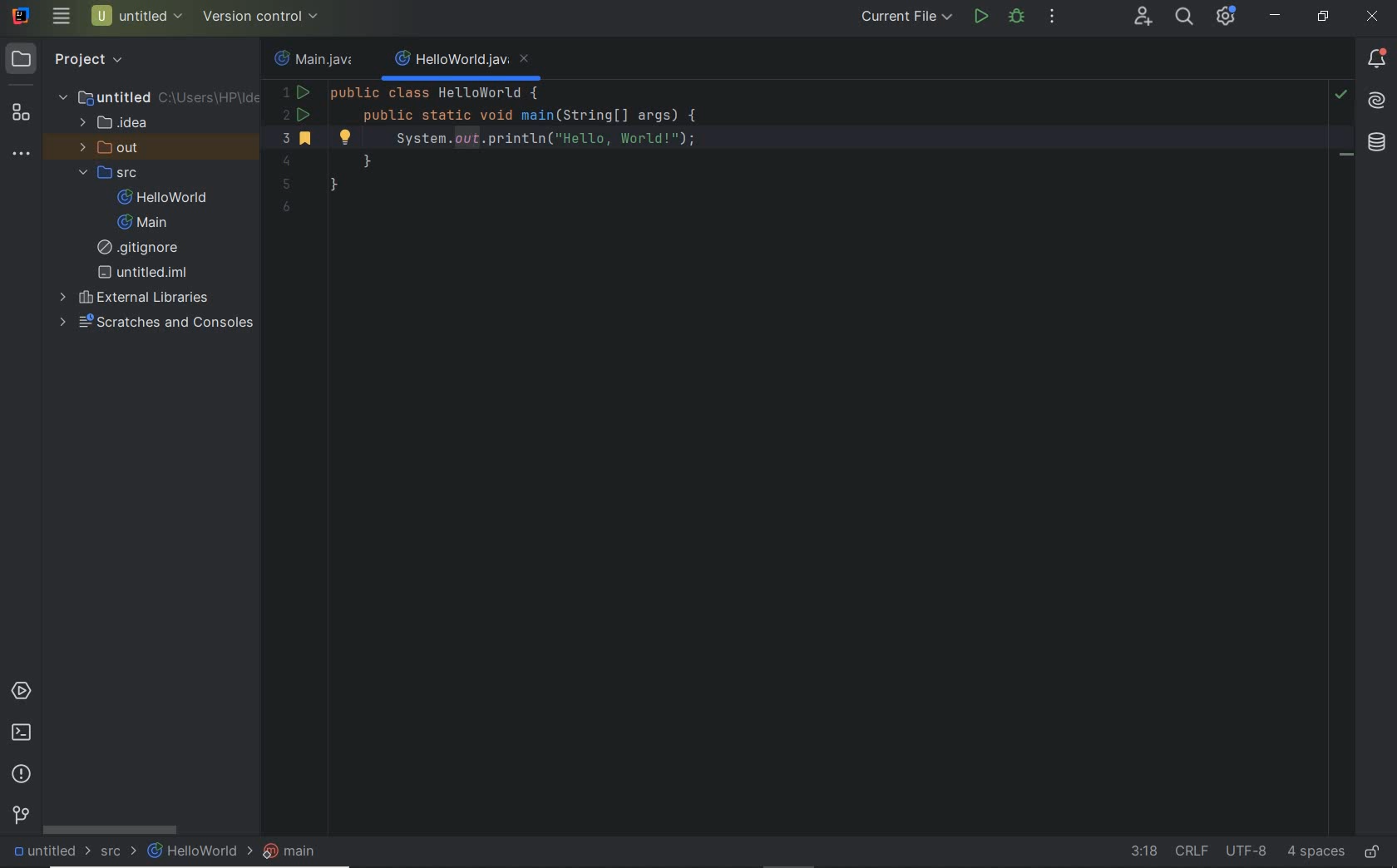 The image size is (1397, 868). Describe the element at coordinates (1377, 143) in the screenshot. I see `Database` at that location.